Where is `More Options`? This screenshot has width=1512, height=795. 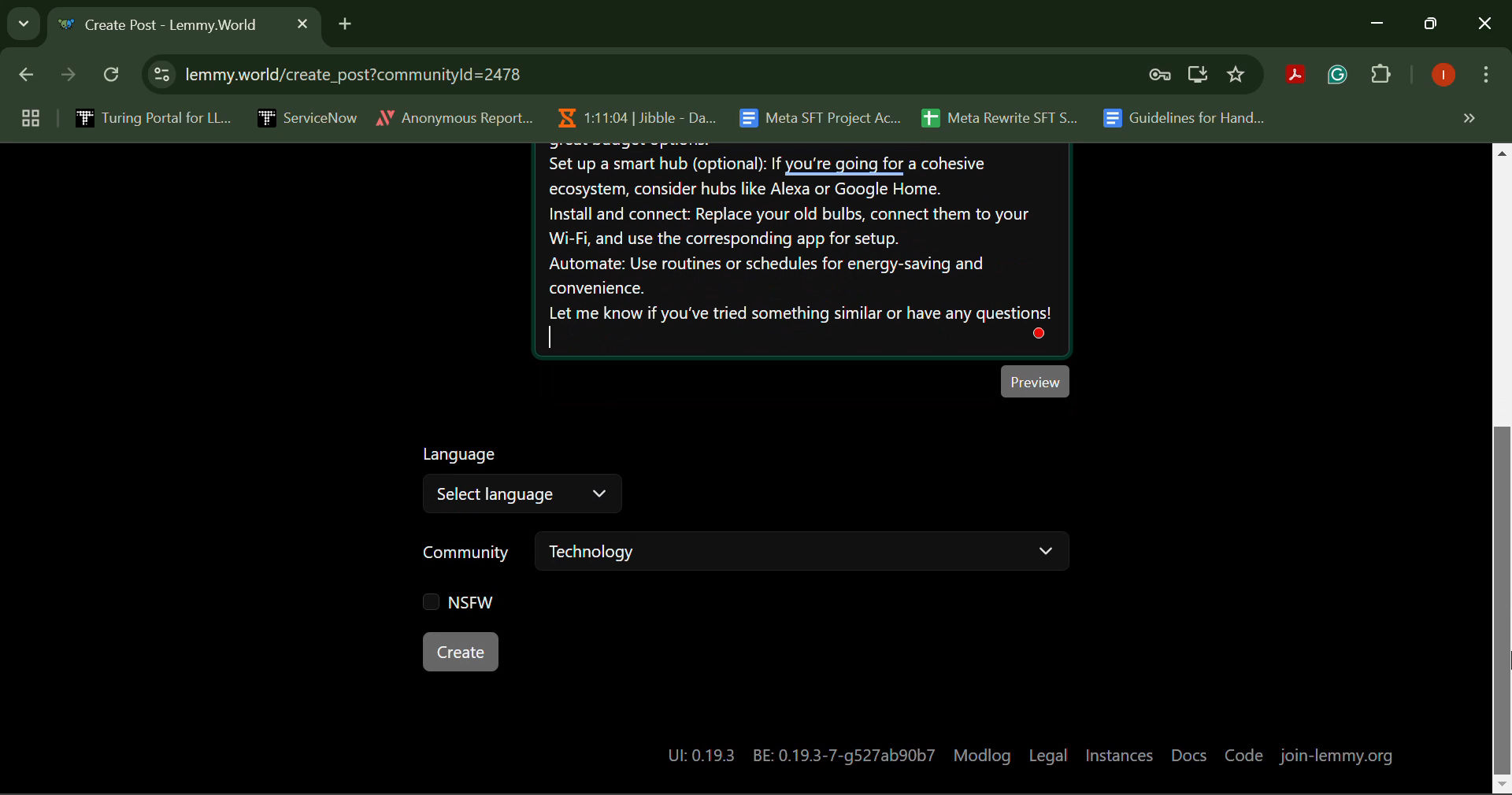
More Options is located at coordinates (1484, 78).